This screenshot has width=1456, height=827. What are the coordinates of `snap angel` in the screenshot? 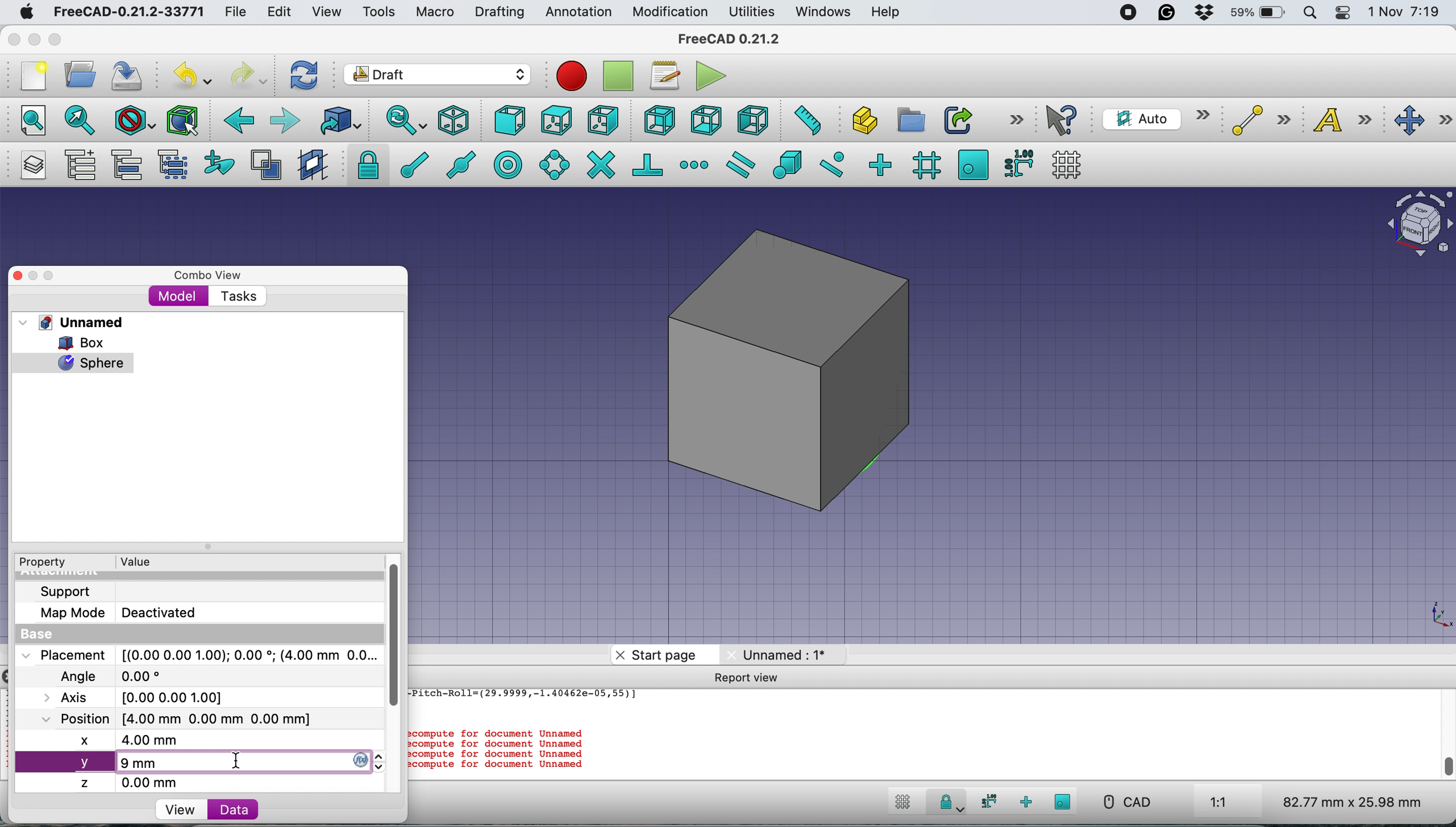 It's located at (551, 164).